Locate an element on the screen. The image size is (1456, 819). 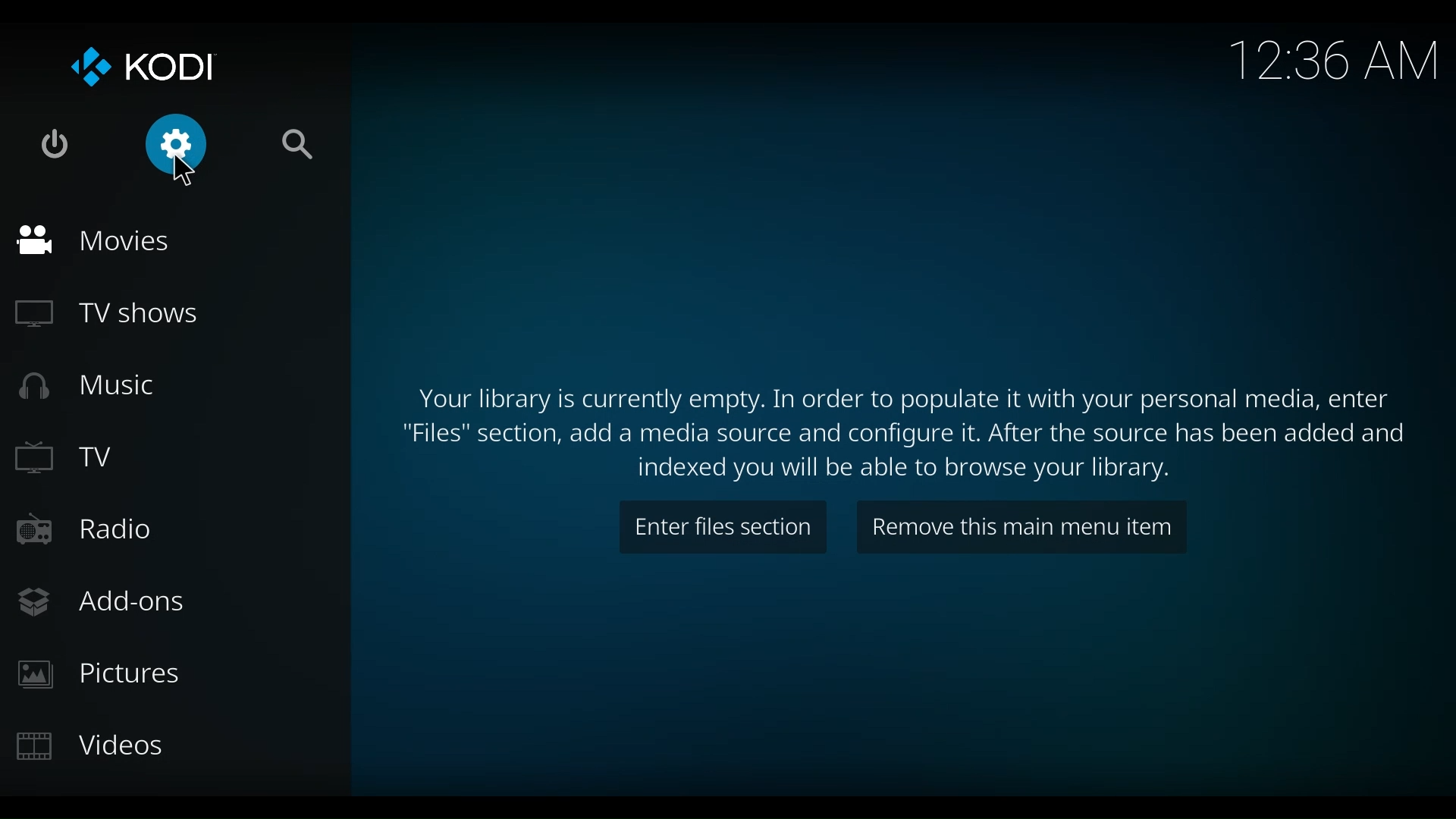
TV is located at coordinates (71, 456).